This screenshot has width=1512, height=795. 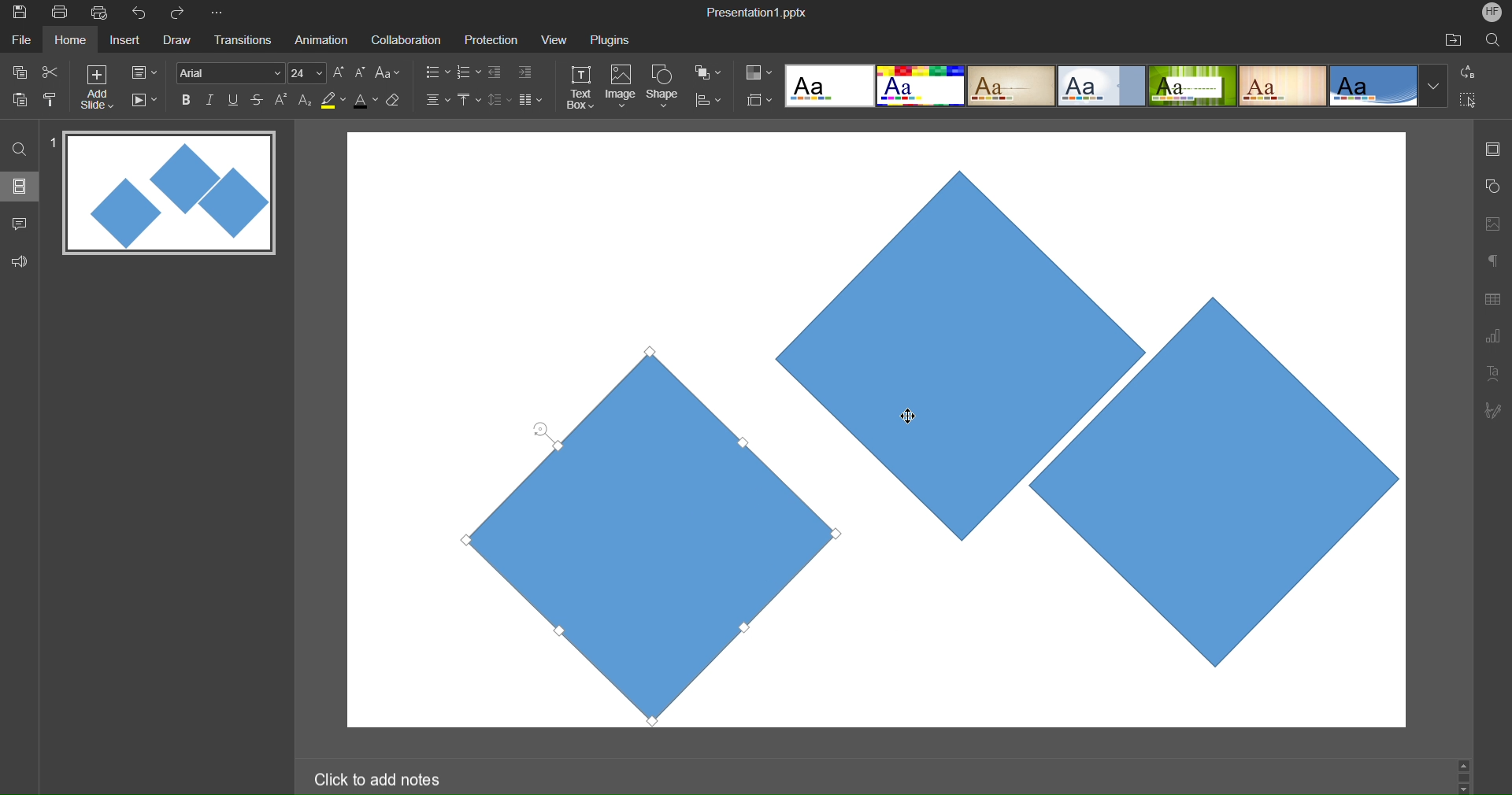 What do you see at coordinates (759, 11) in the screenshot?
I see `Presentation Title` at bounding box center [759, 11].